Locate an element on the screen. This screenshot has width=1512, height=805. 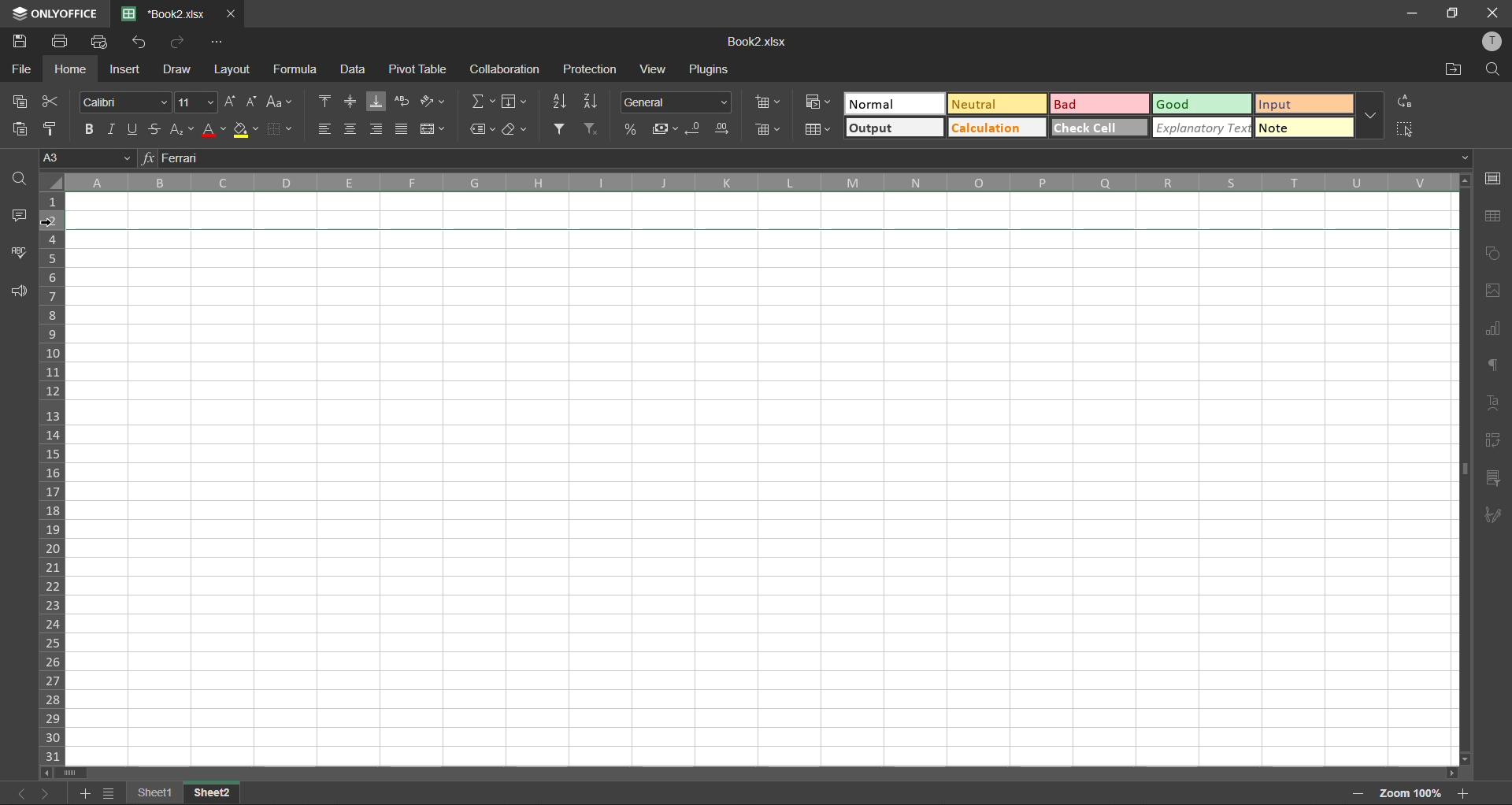
customize quick access toolbar is located at coordinates (217, 42).